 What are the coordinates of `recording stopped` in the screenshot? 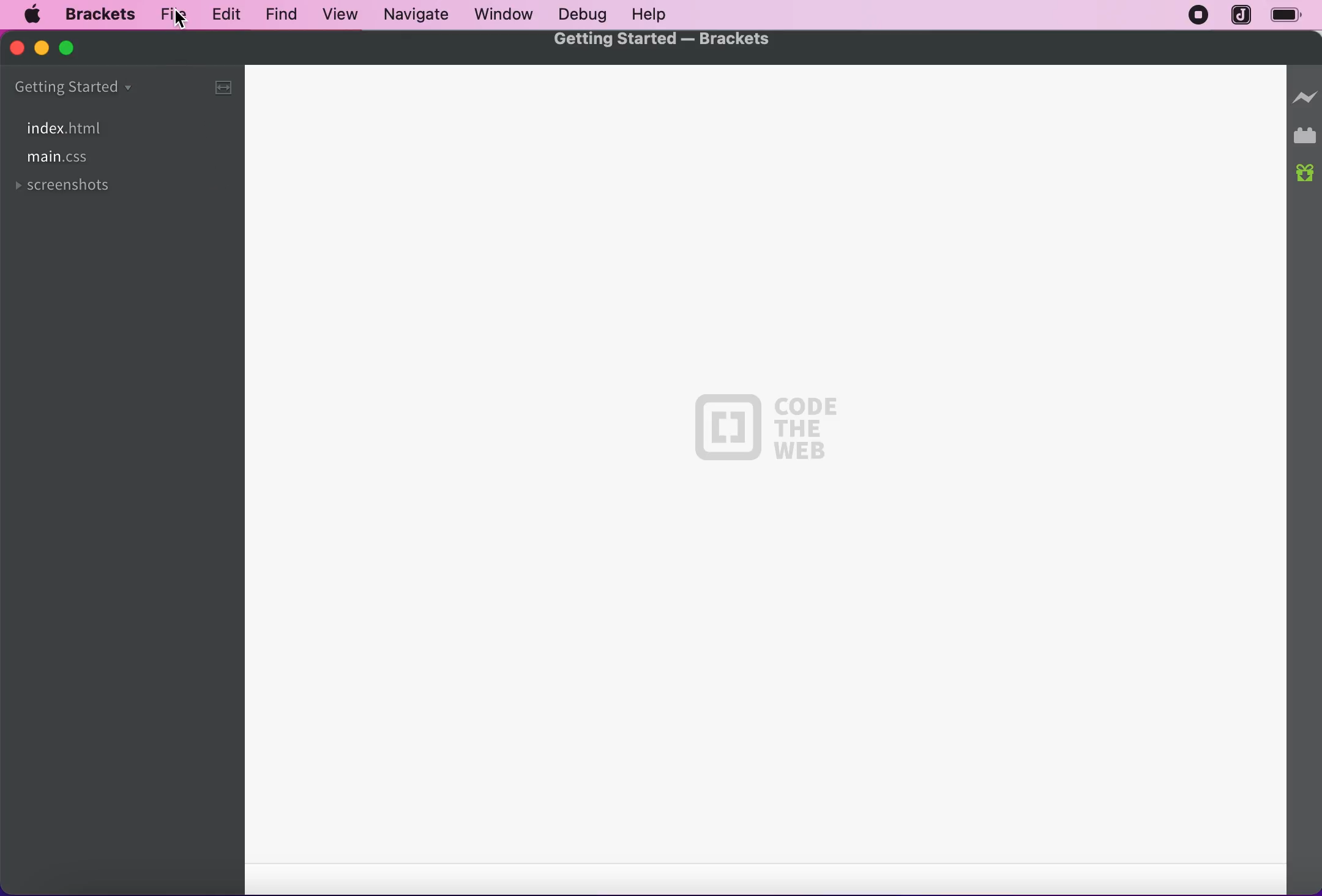 It's located at (1194, 16).